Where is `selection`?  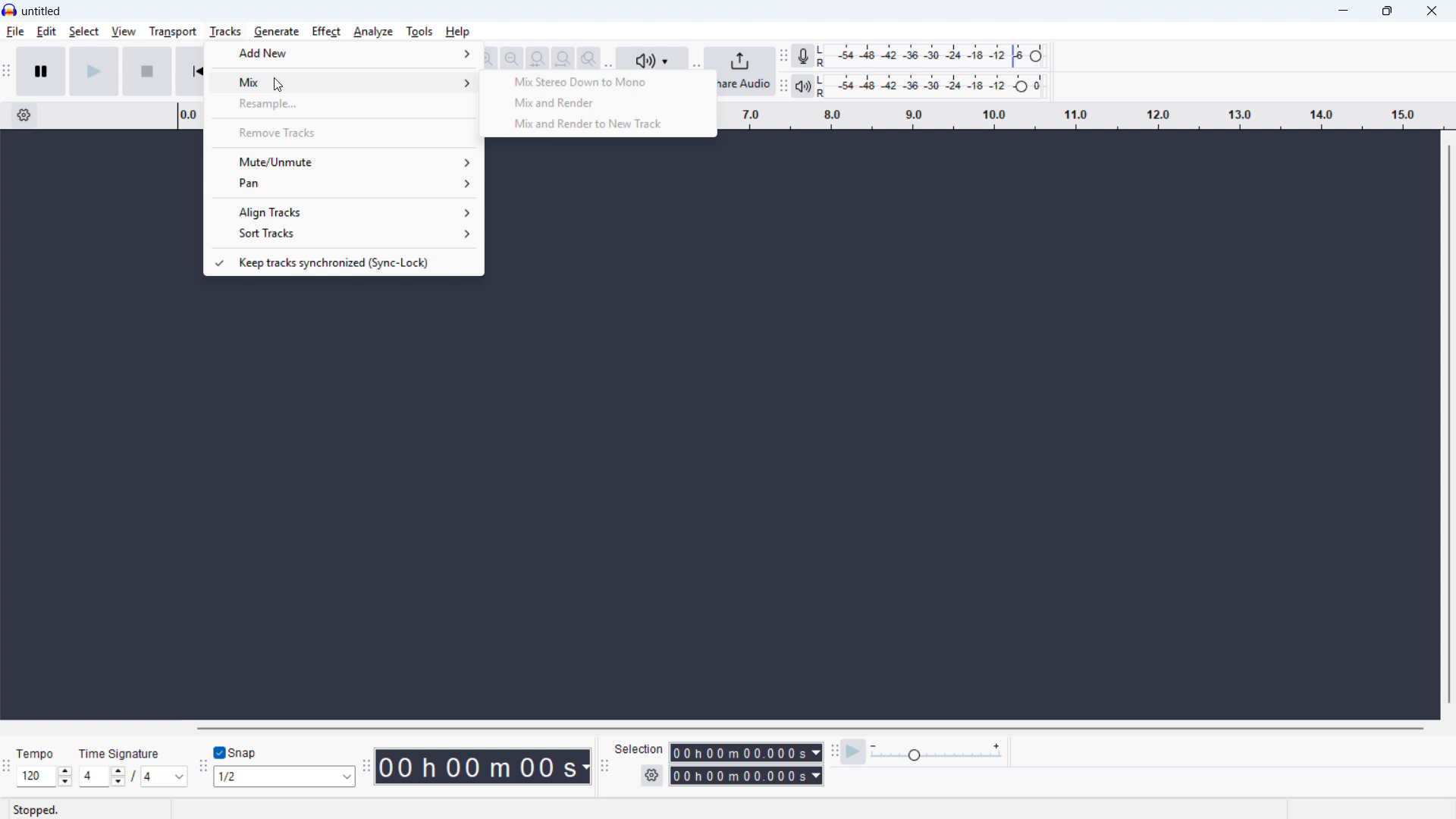
selection is located at coordinates (640, 748).